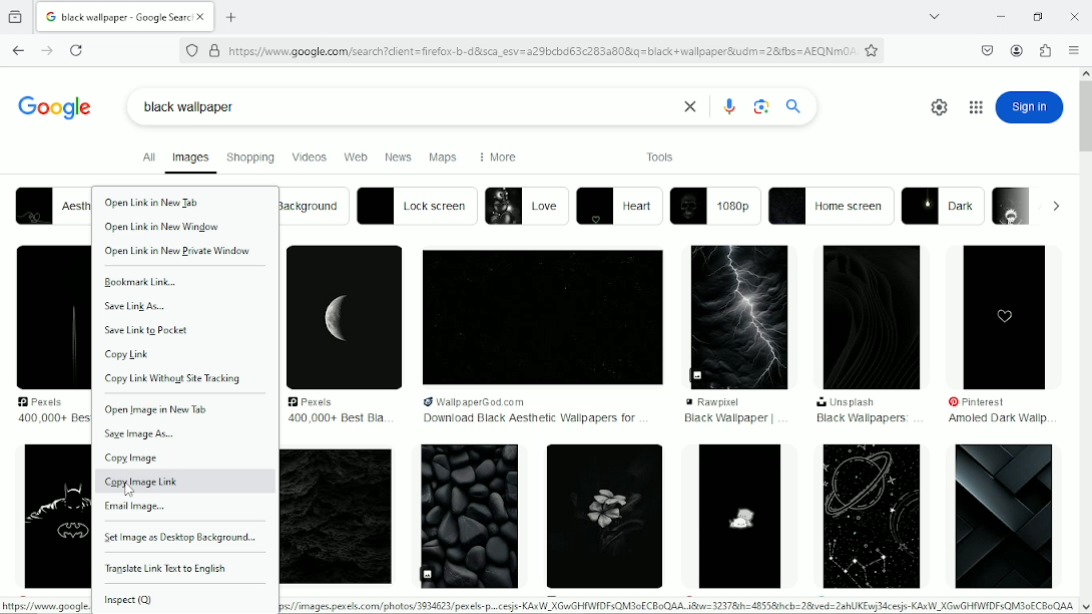 The image size is (1092, 614). What do you see at coordinates (178, 251) in the screenshot?
I see `open link in new private window` at bounding box center [178, 251].